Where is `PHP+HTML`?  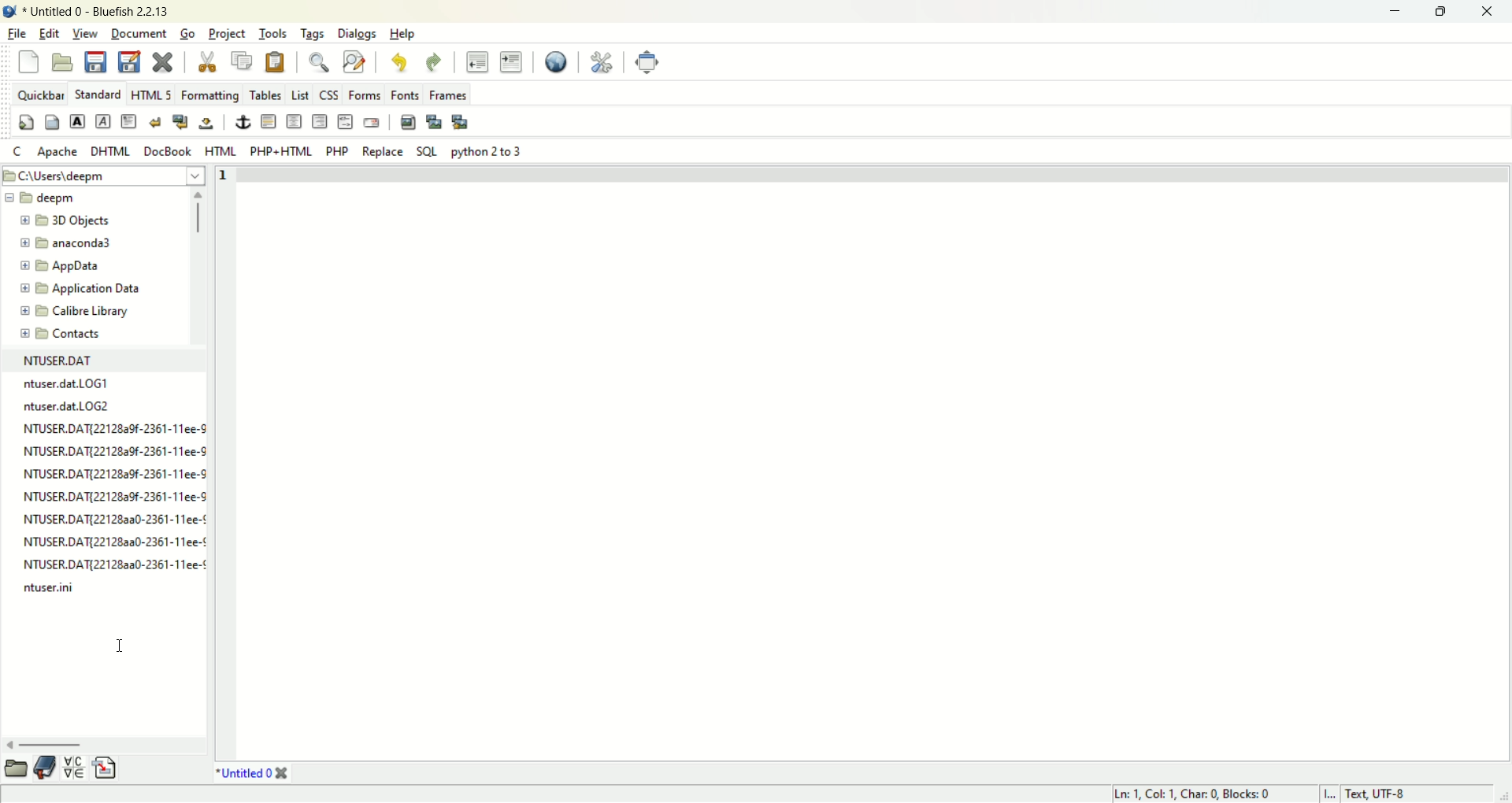
PHP+HTML is located at coordinates (279, 152).